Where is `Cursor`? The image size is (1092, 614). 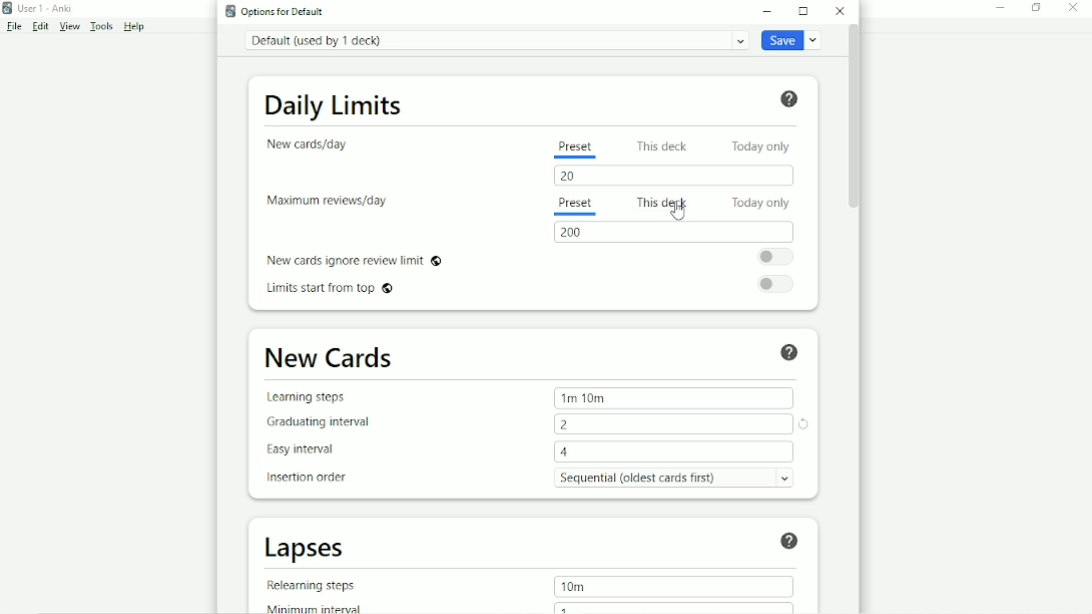 Cursor is located at coordinates (677, 212).